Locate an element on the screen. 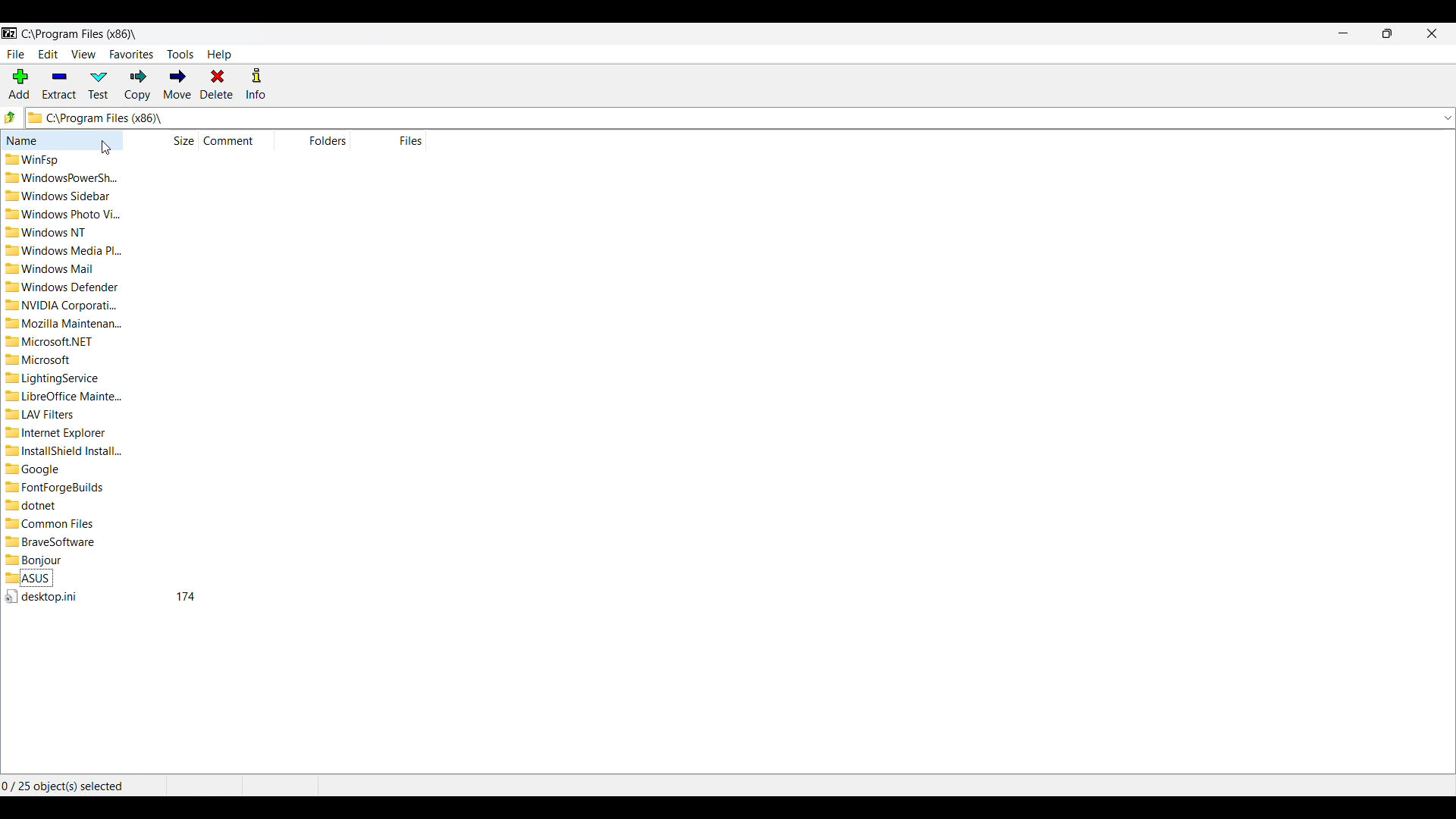 Image resolution: width=1456 pixels, height=819 pixels. Help menu is located at coordinates (219, 55).